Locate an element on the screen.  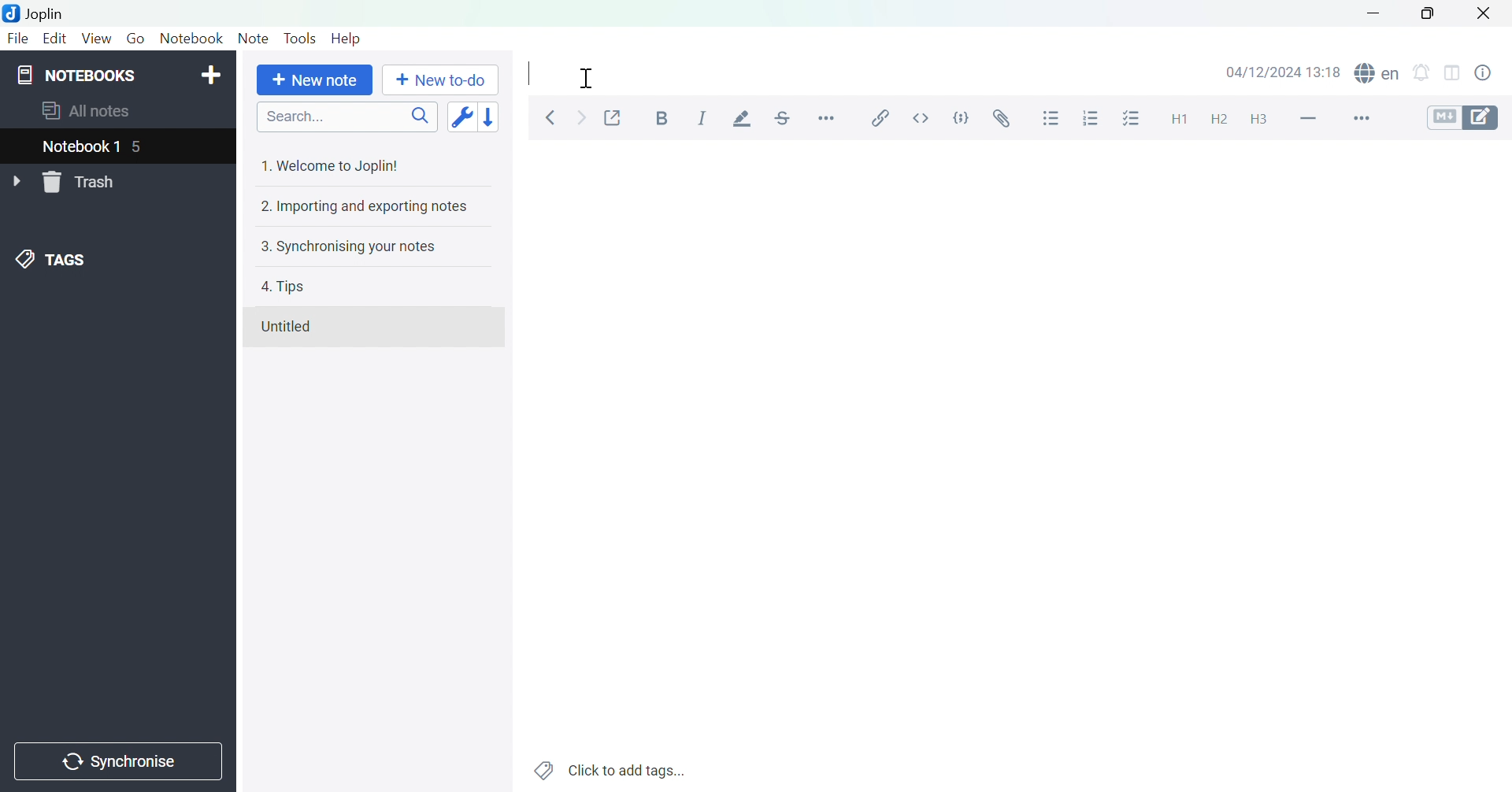
2. Importing and exporting notes is located at coordinates (362, 207).